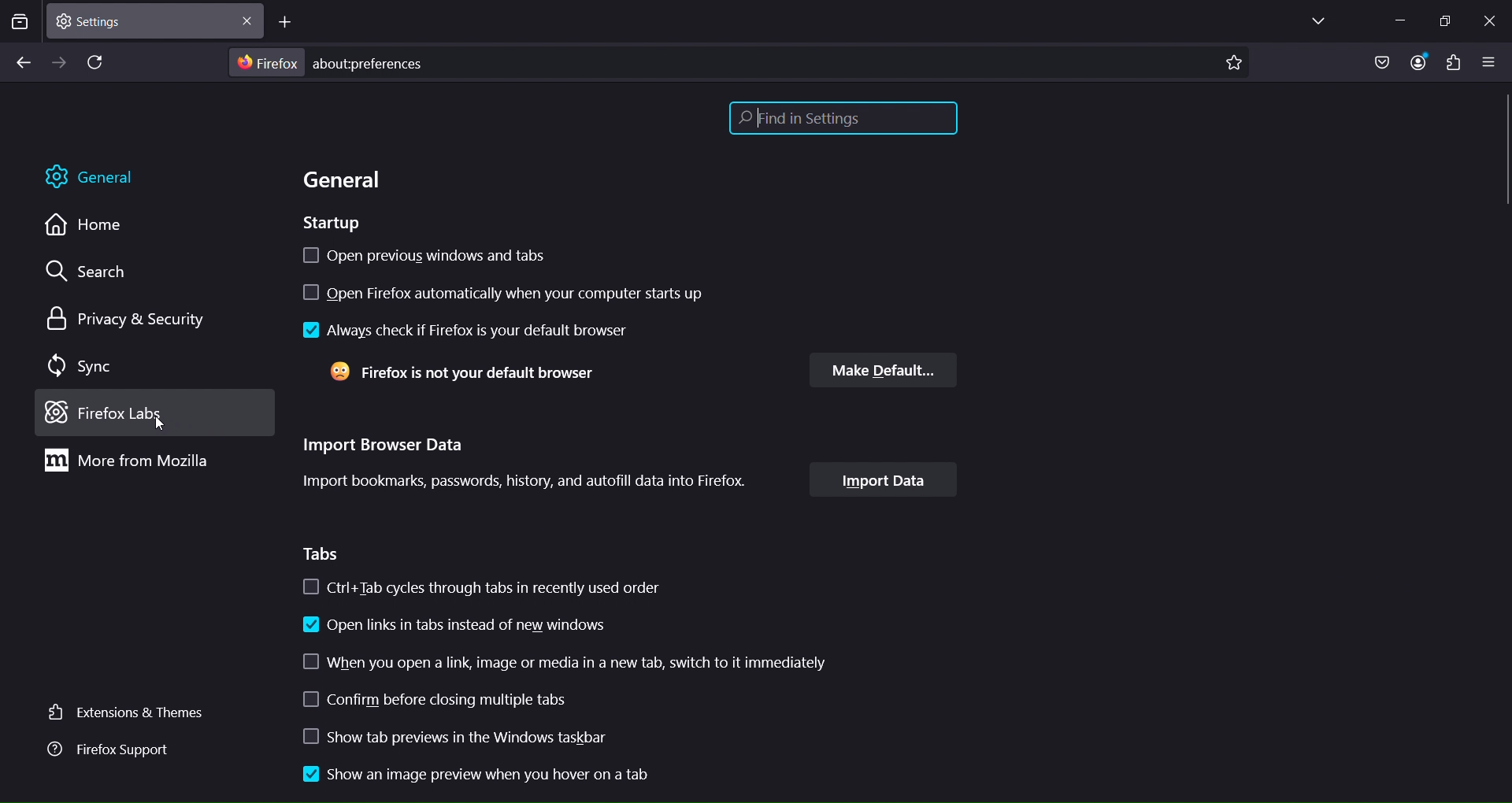  What do you see at coordinates (437, 702) in the screenshot?
I see `confirm before closing new tabs` at bounding box center [437, 702].